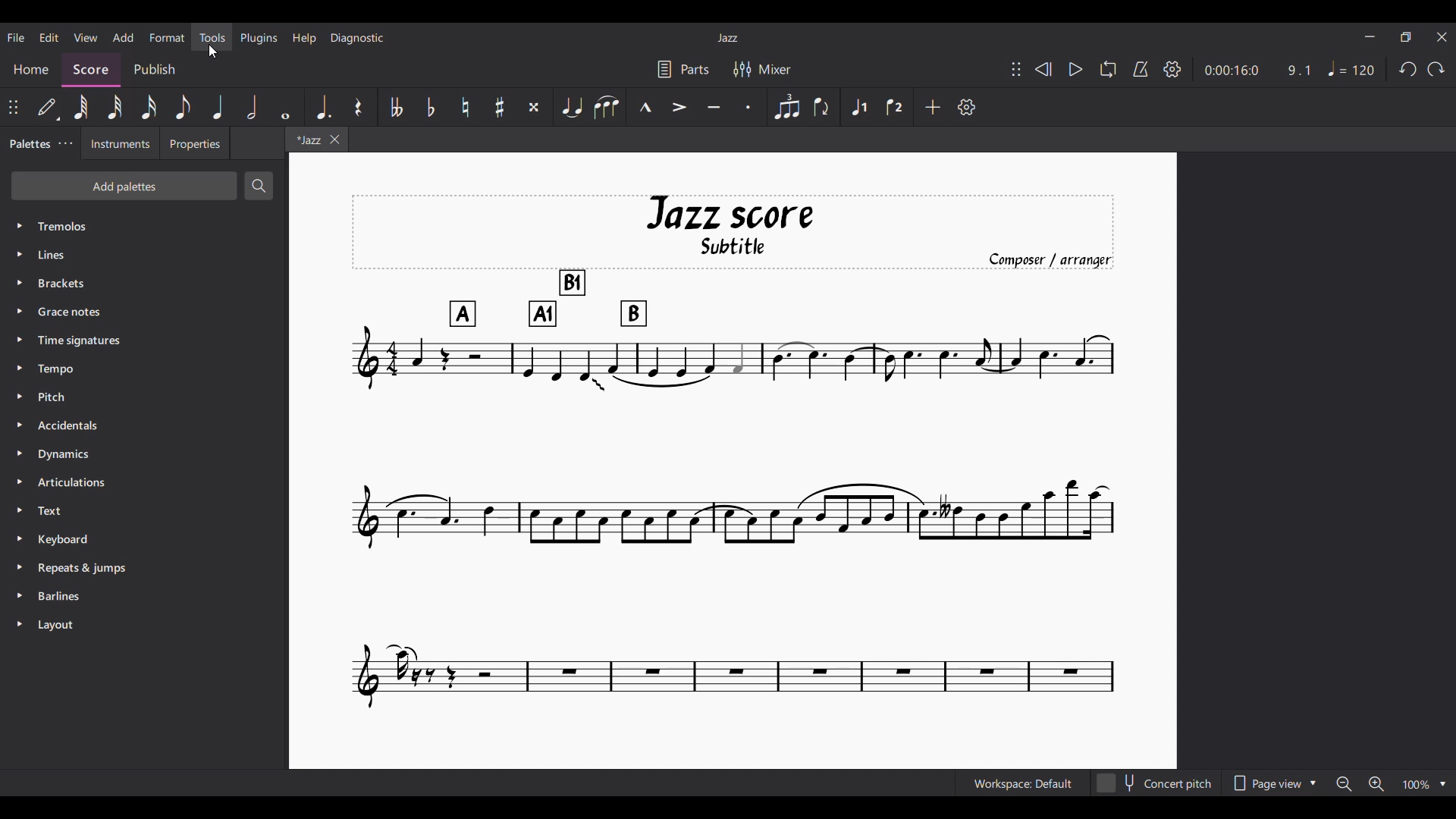  Describe the element at coordinates (86, 37) in the screenshot. I see `View menu` at that location.